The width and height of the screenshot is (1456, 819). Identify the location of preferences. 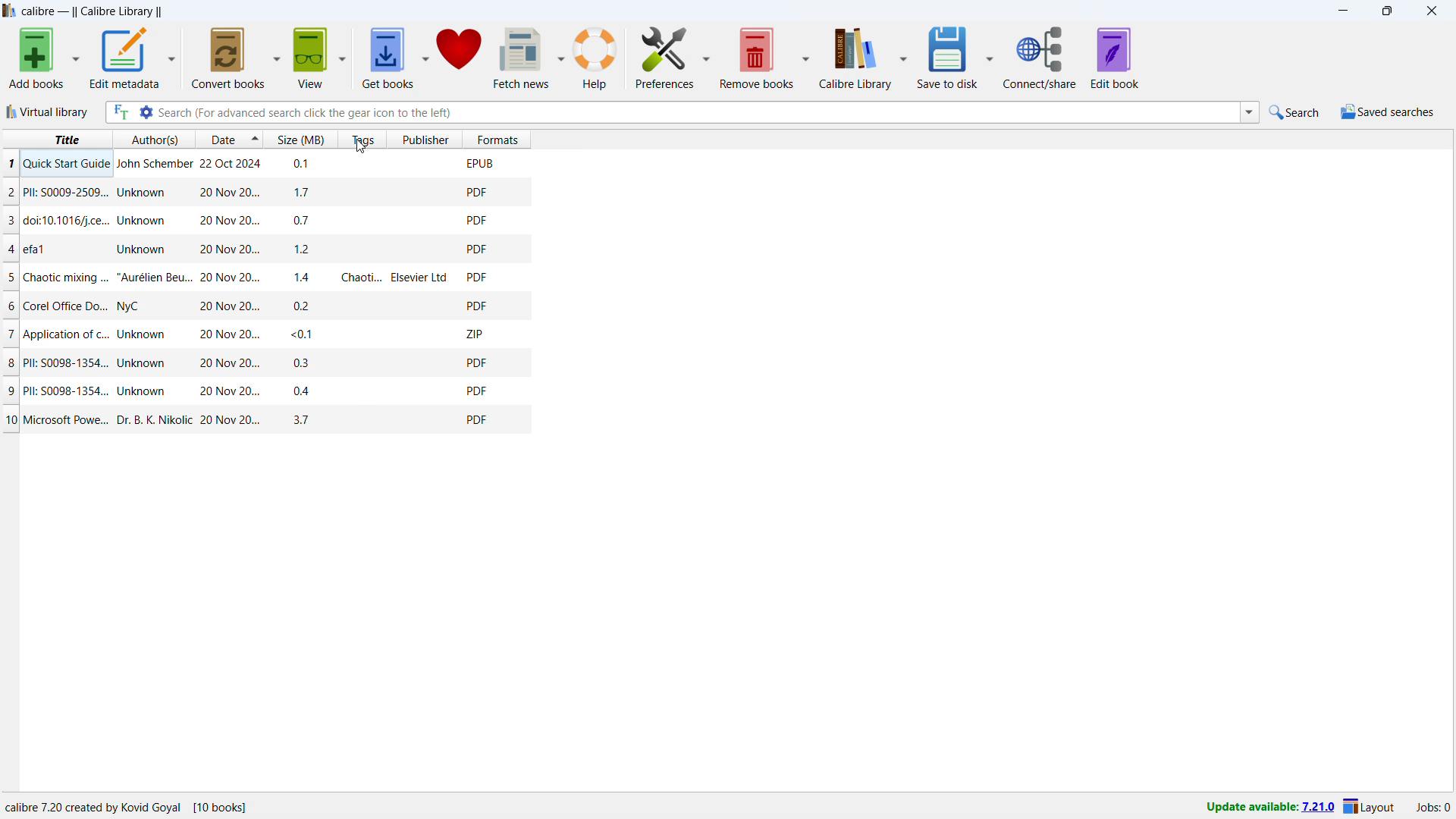
(707, 58).